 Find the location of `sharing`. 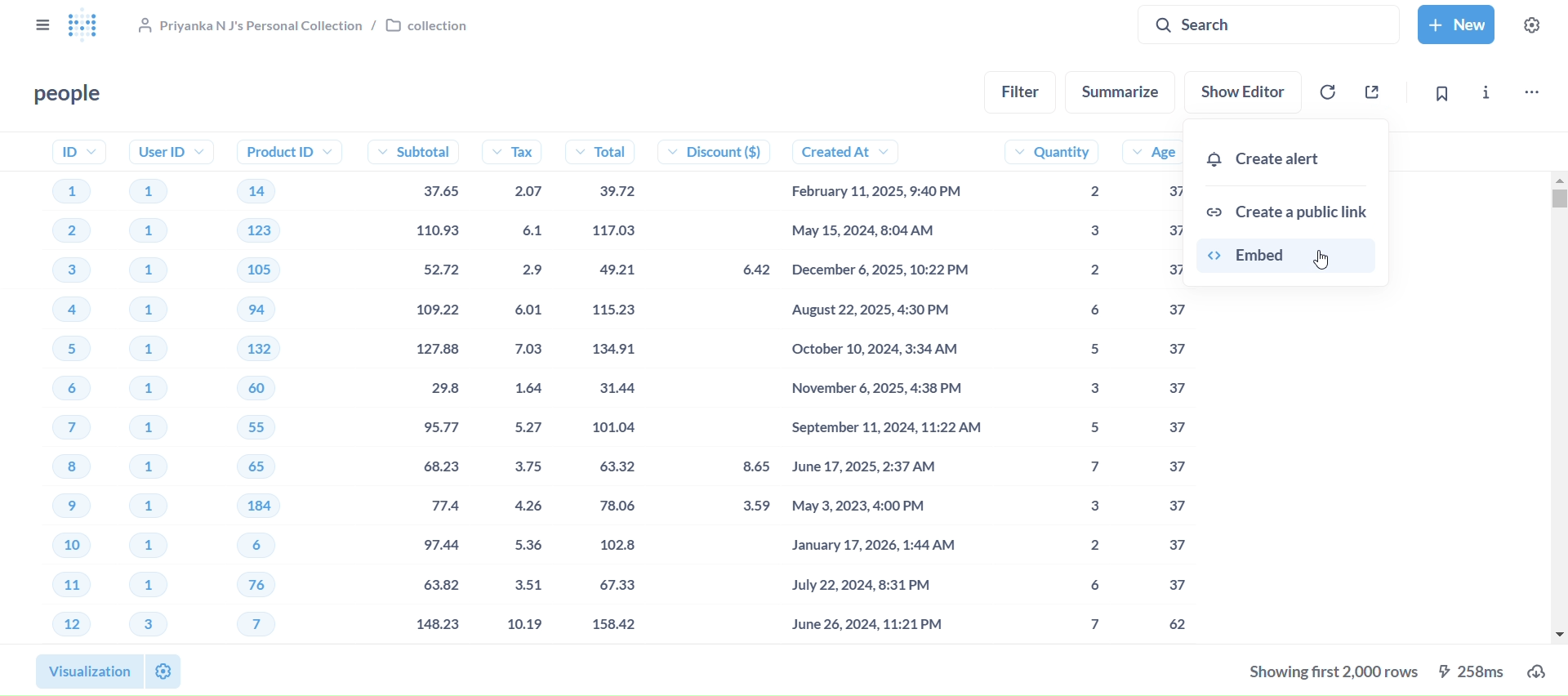

sharing is located at coordinates (1370, 93).